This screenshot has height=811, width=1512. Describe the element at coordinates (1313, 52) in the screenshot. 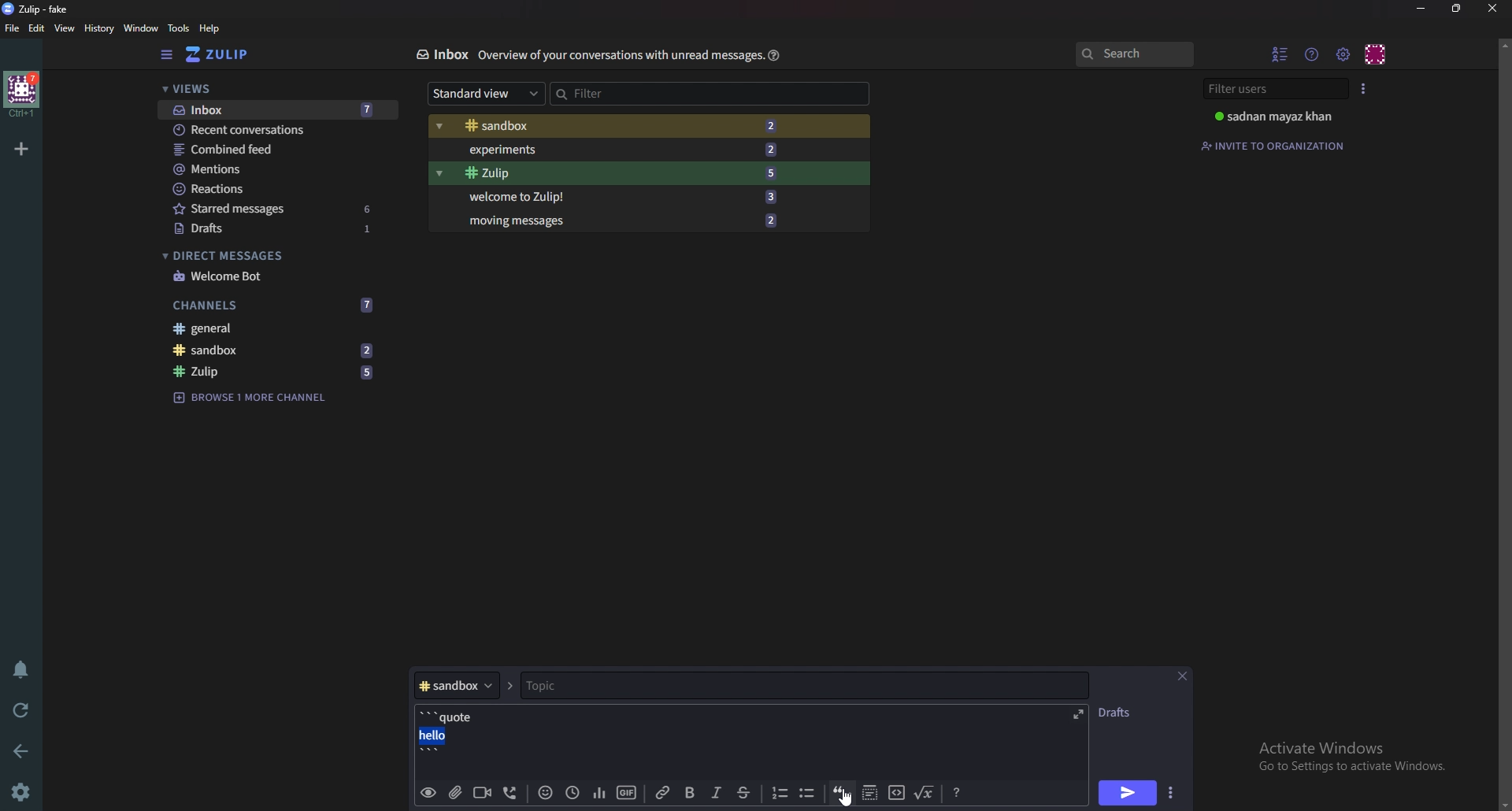

I see `Help menu` at that location.